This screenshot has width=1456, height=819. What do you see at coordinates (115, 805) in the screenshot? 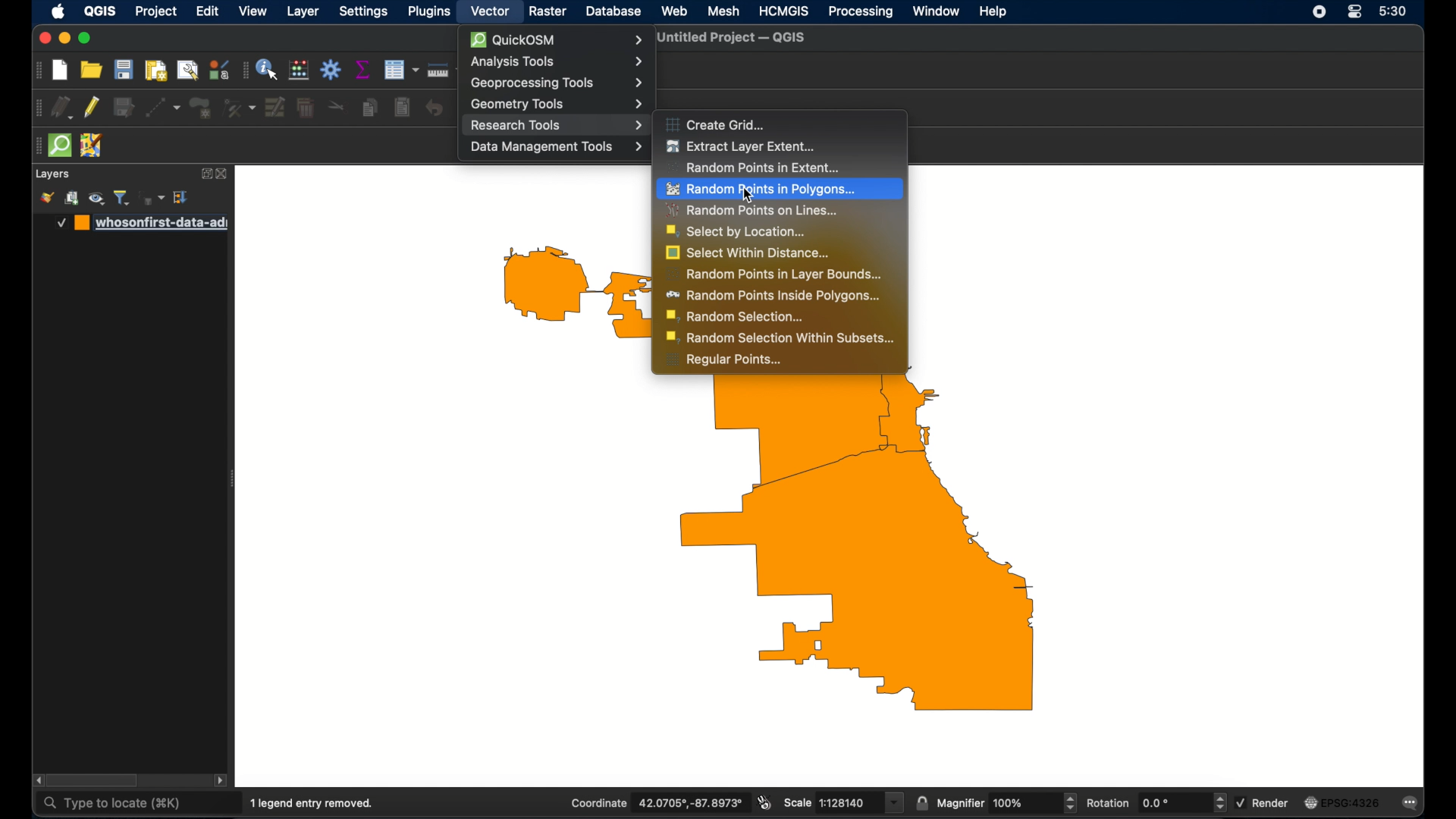
I see `type to locate` at bounding box center [115, 805].